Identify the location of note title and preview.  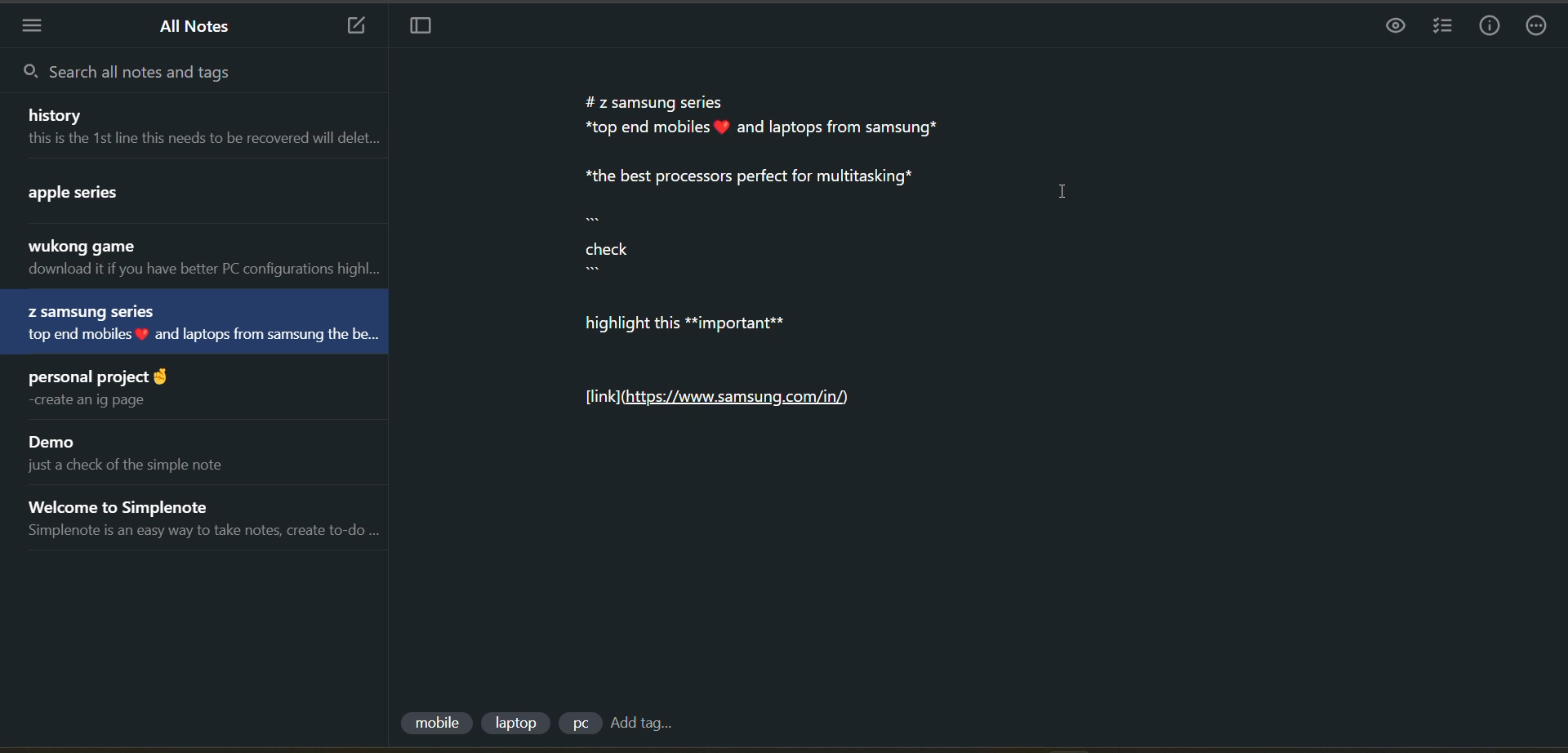
(204, 130).